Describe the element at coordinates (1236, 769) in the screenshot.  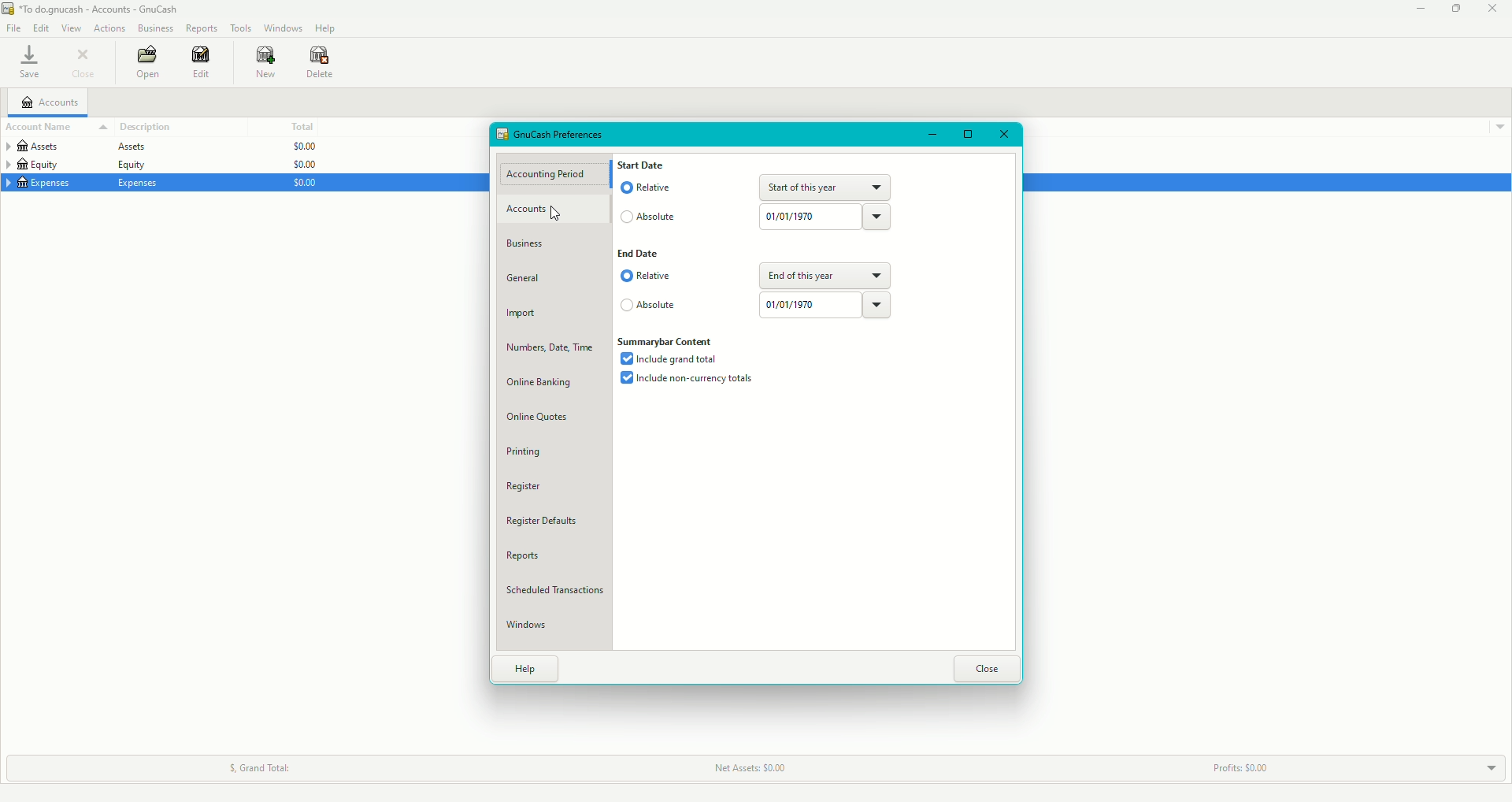
I see `Profits` at that location.